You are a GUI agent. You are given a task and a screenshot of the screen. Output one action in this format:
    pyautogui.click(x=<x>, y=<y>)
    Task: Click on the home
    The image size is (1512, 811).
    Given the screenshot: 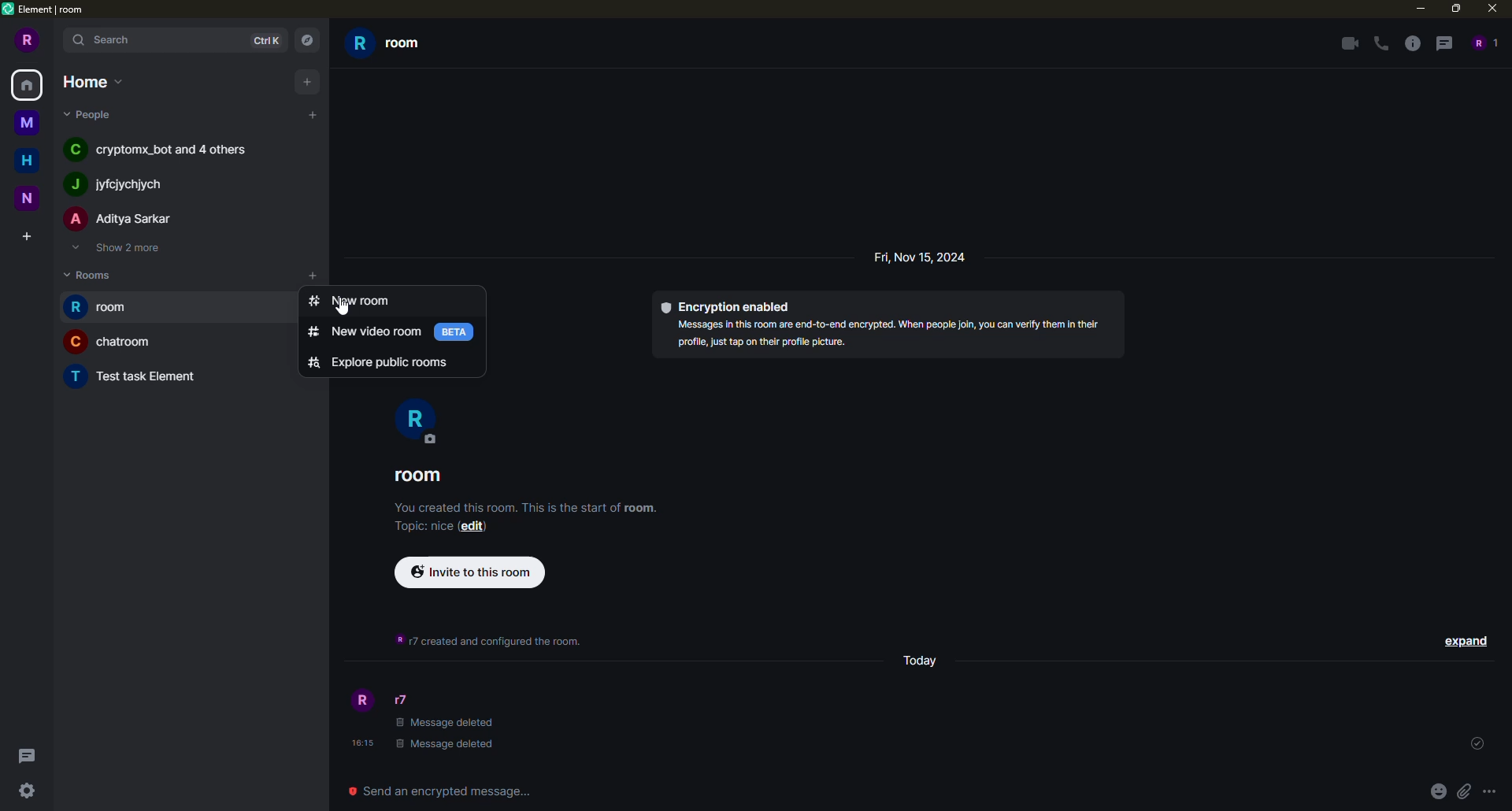 What is the action you would take?
    pyautogui.click(x=27, y=87)
    